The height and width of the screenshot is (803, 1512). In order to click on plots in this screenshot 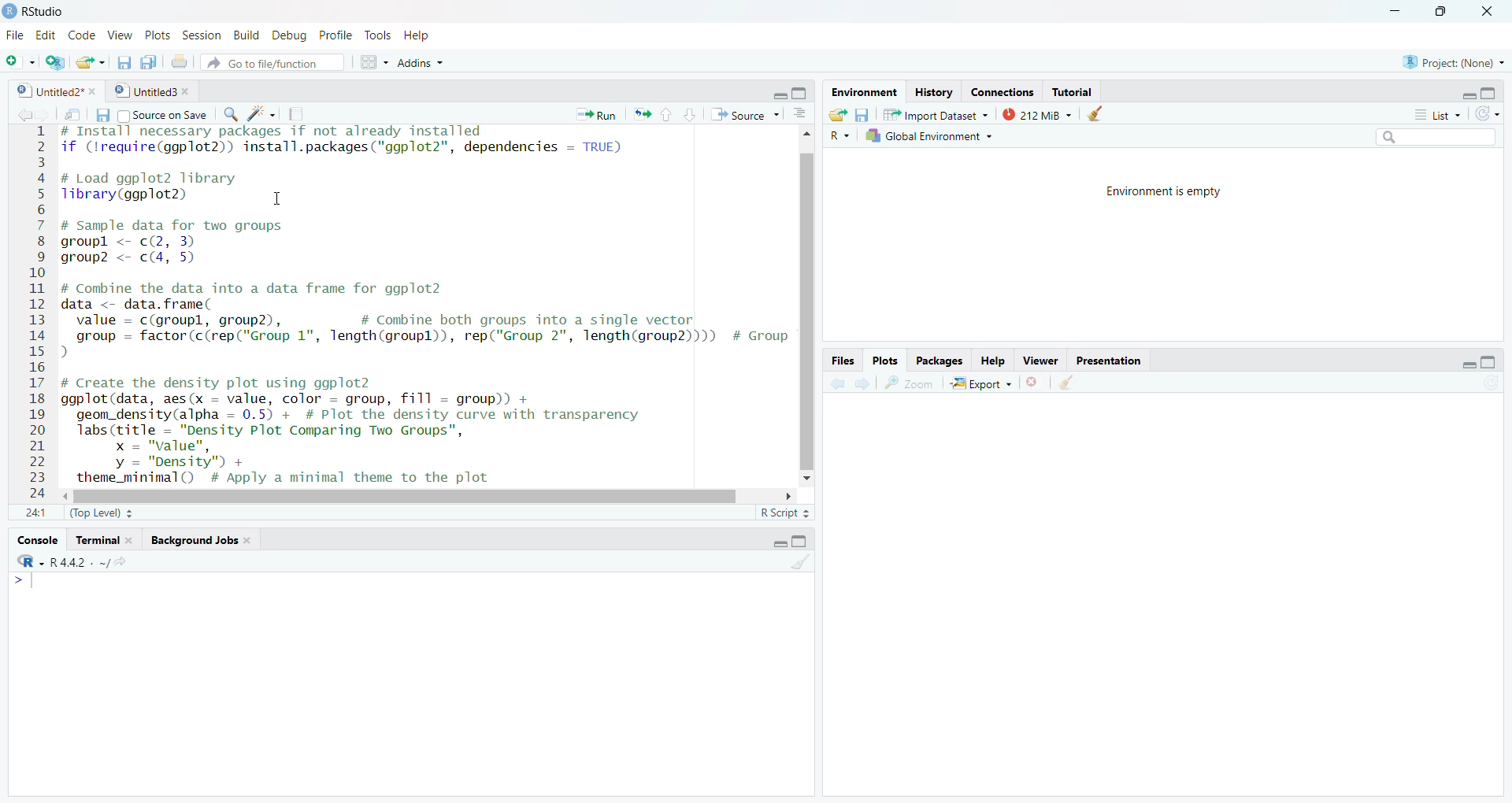, I will do `click(884, 359)`.